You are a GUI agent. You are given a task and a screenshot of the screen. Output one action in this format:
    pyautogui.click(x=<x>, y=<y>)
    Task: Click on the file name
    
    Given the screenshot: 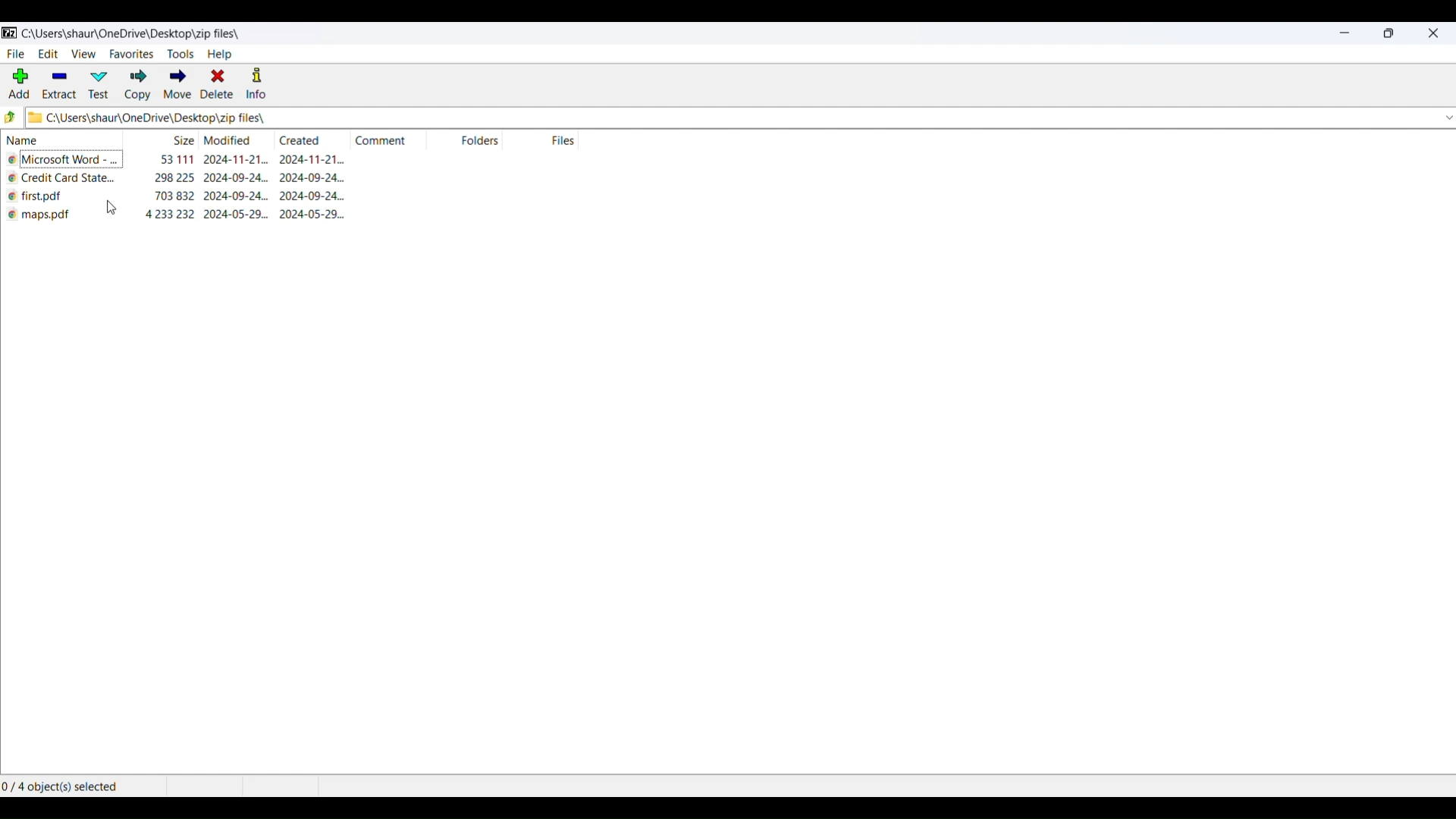 What is the action you would take?
    pyautogui.click(x=67, y=162)
    